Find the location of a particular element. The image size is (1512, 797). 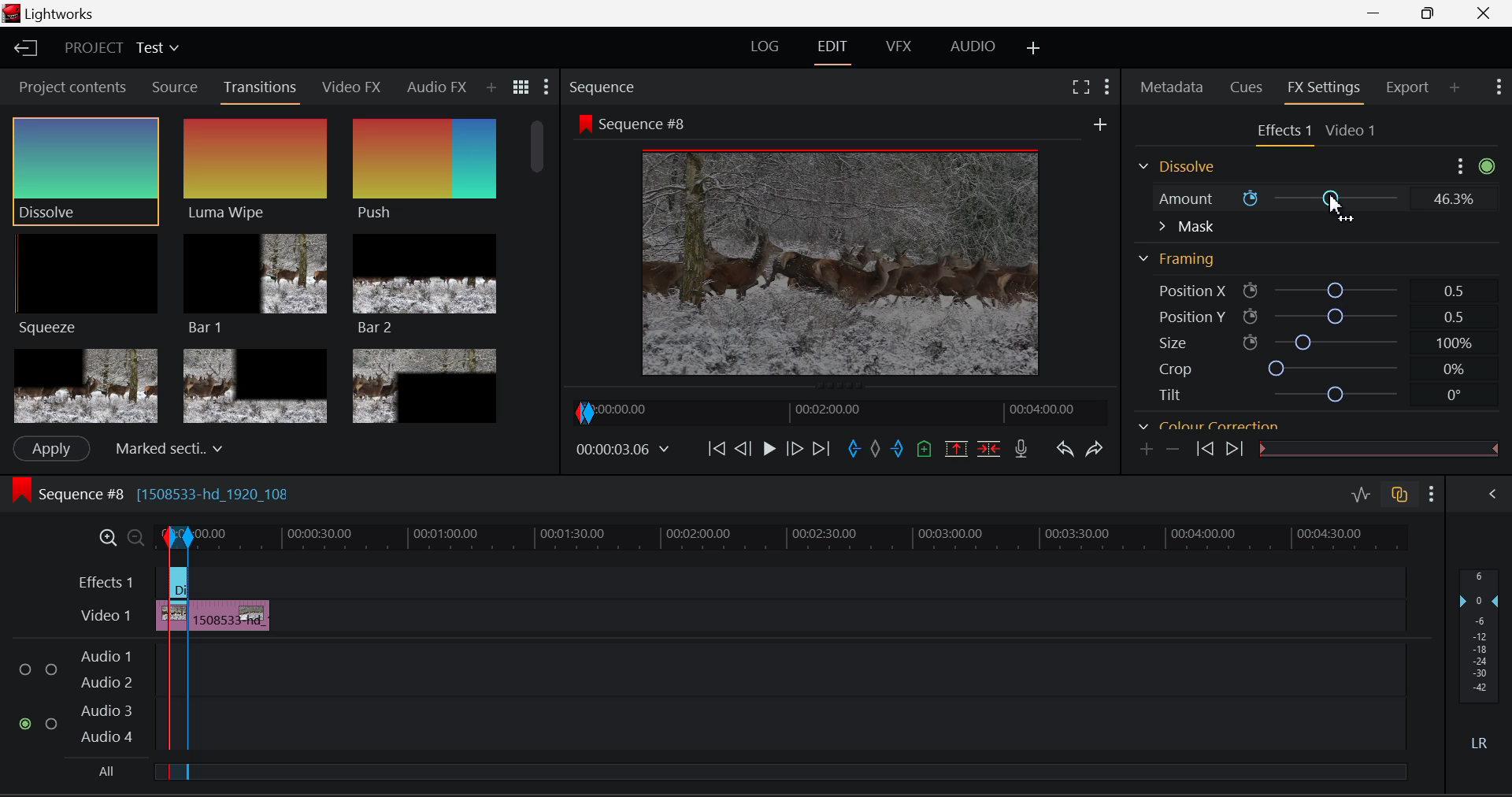

Project Timeline is located at coordinates (802, 536).